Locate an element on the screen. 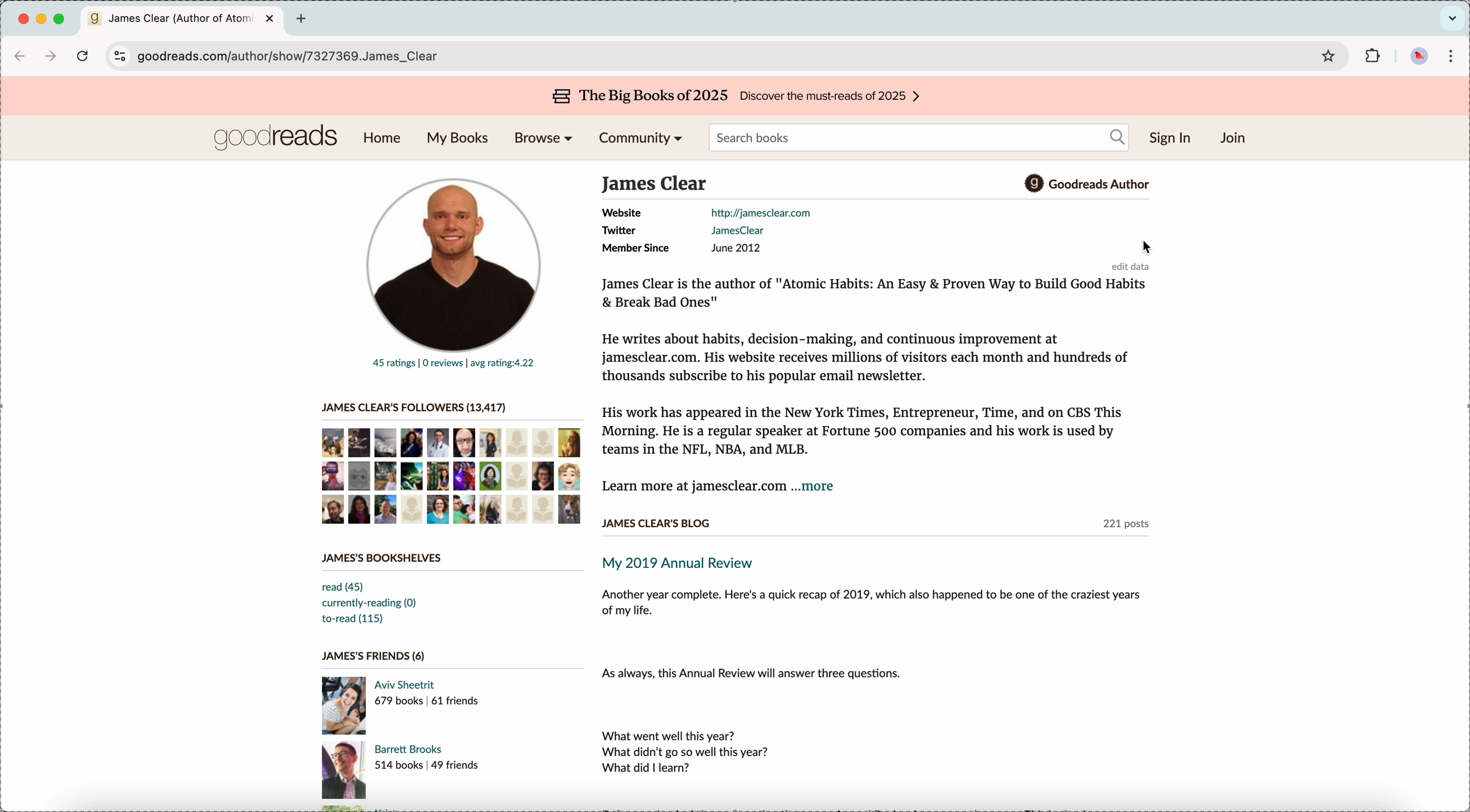 The image size is (1470, 812). 514 books | 49 friends is located at coordinates (427, 765).